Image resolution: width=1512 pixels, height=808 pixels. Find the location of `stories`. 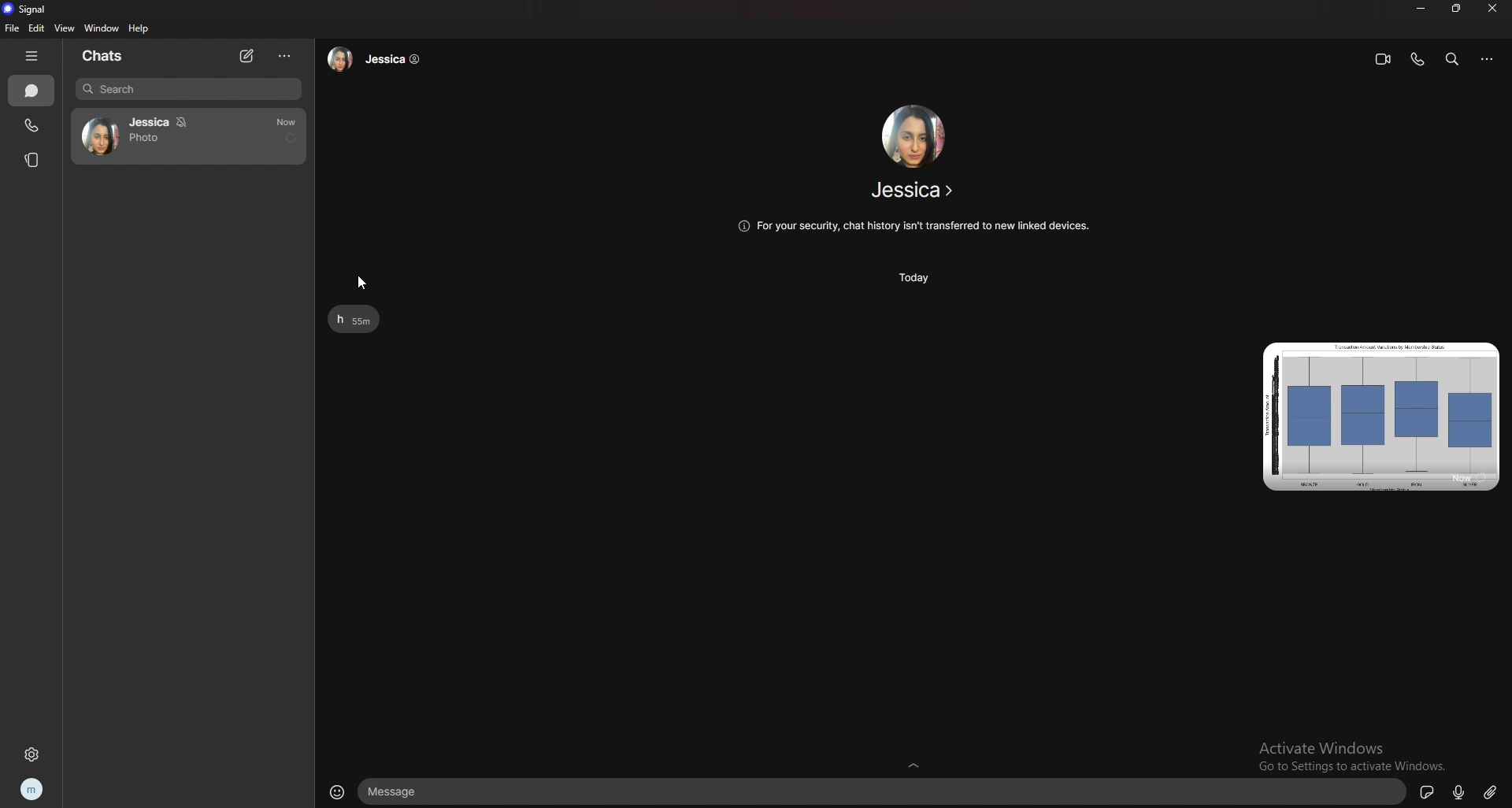

stories is located at coordinates (31, 160).